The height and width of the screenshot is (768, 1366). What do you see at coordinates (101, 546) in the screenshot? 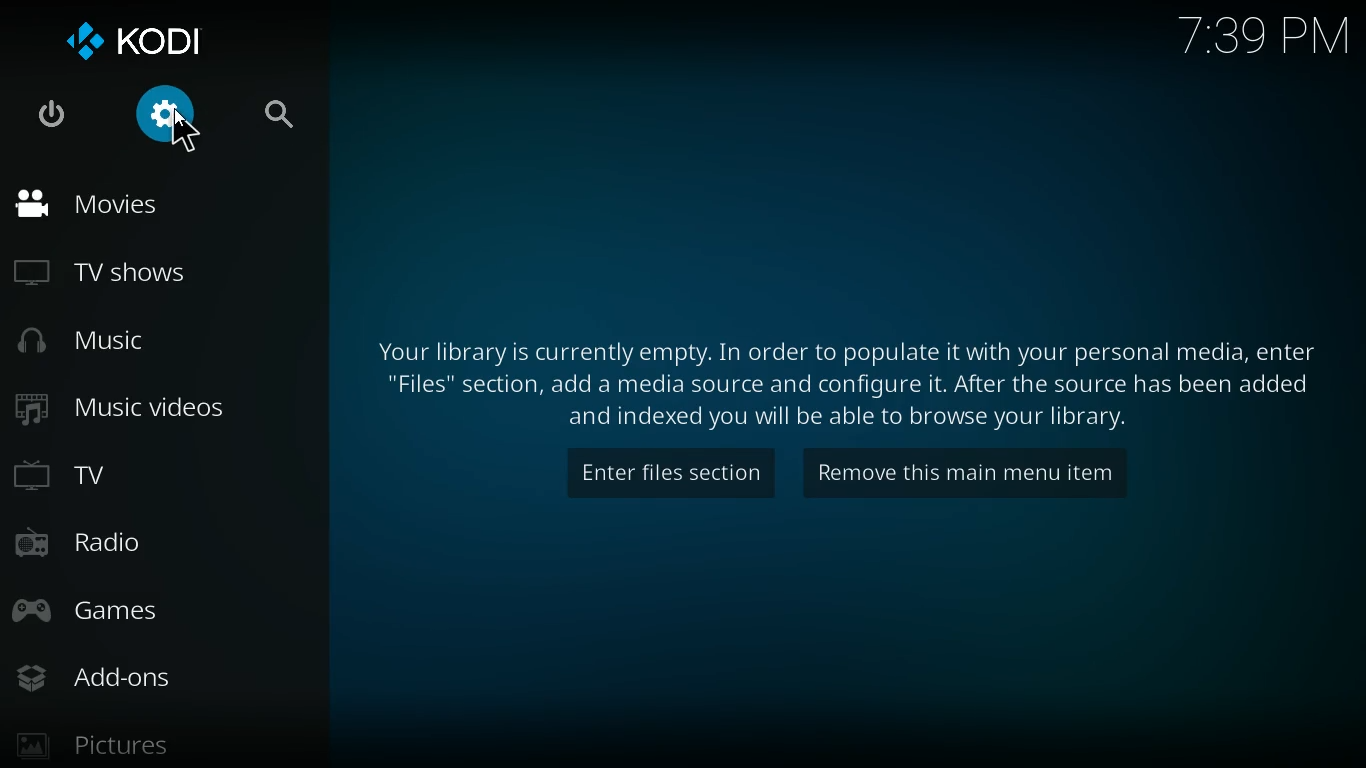
I see `radio` at bounding box center [101, 546].